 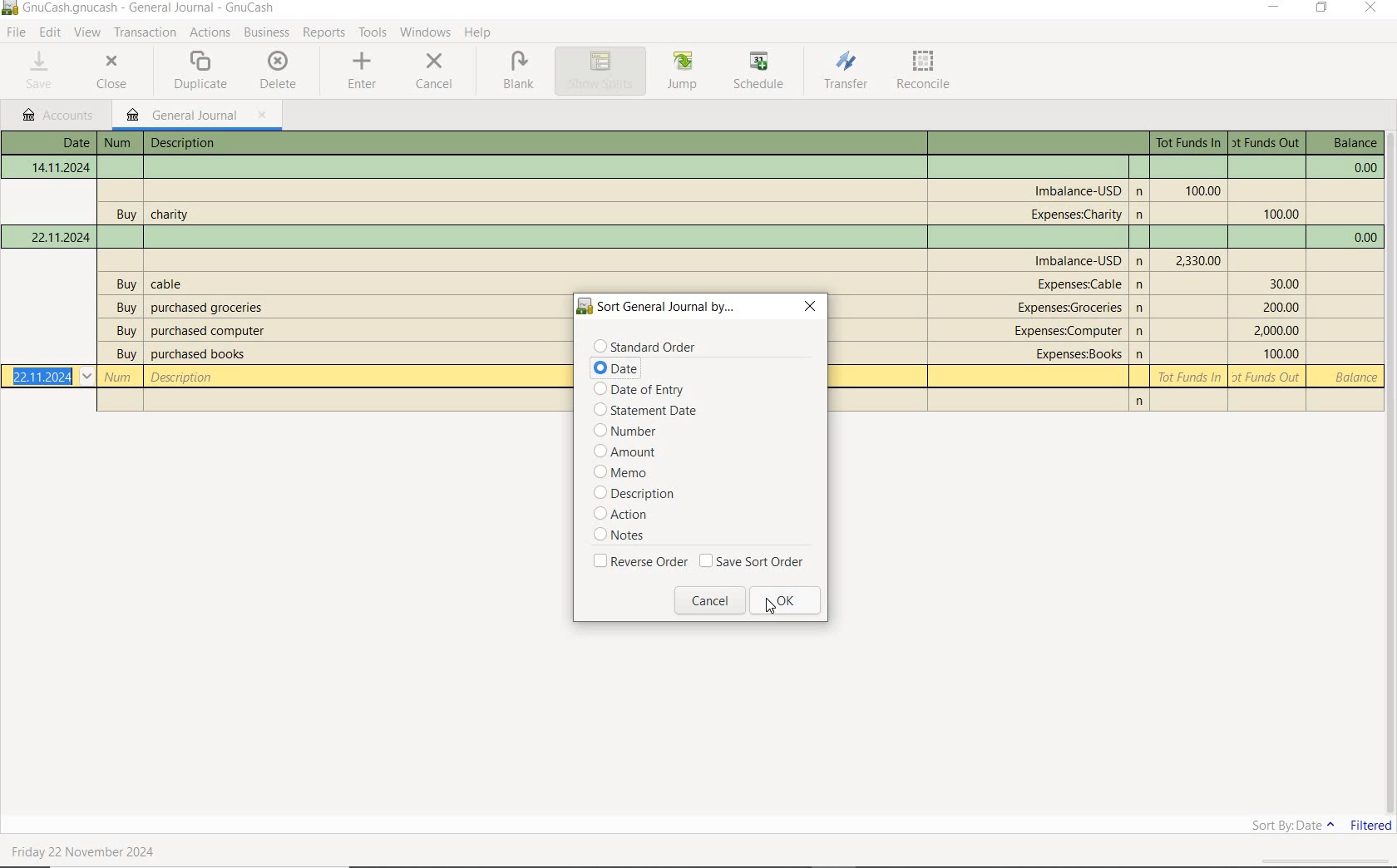 I want to click on SAVE, so click(x=41, y=71).